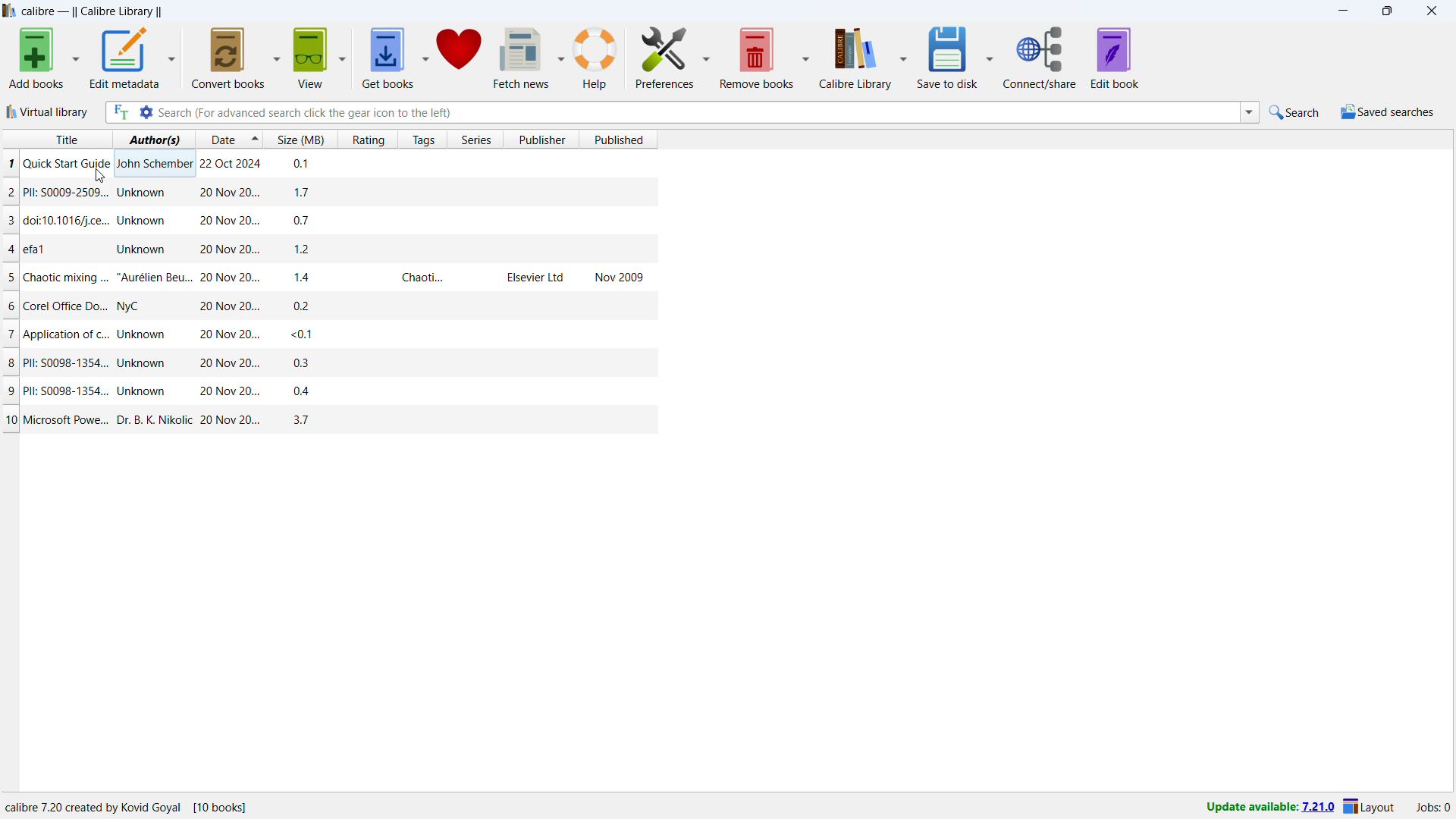  I want to click on donate to calibre, so click(459, 55).